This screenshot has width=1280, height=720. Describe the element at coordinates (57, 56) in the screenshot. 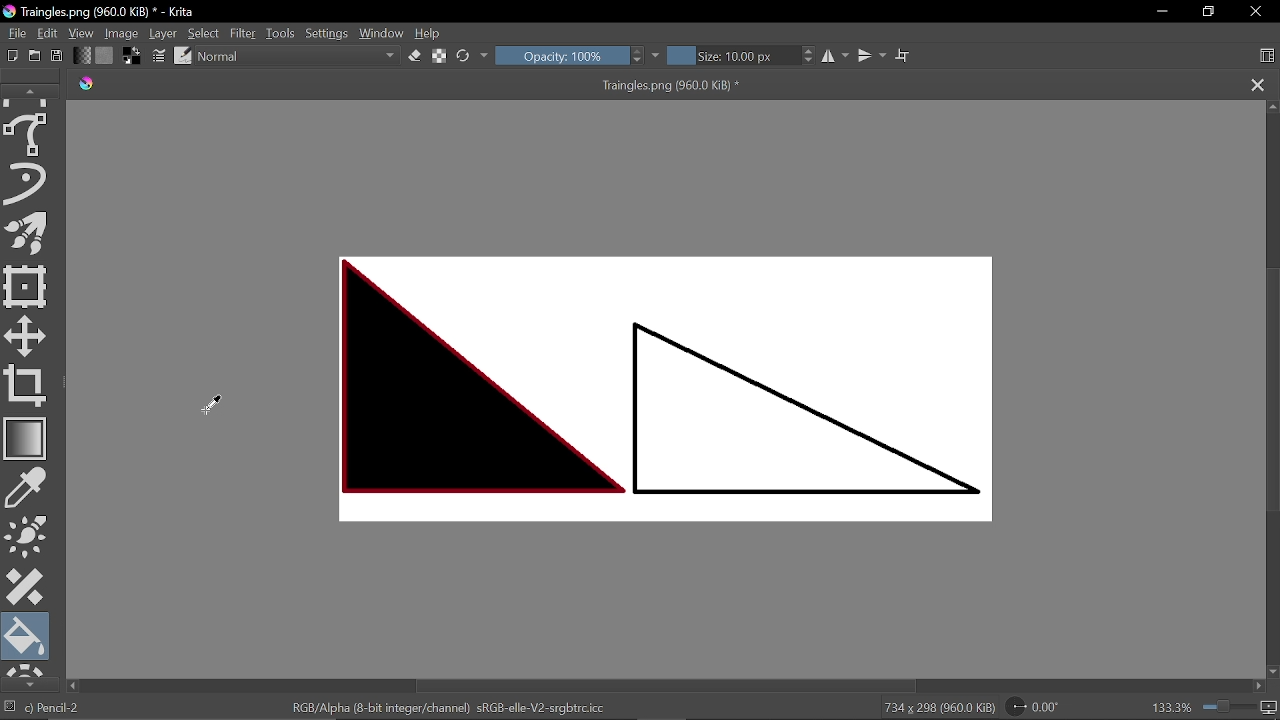

I see `Save` at that location.